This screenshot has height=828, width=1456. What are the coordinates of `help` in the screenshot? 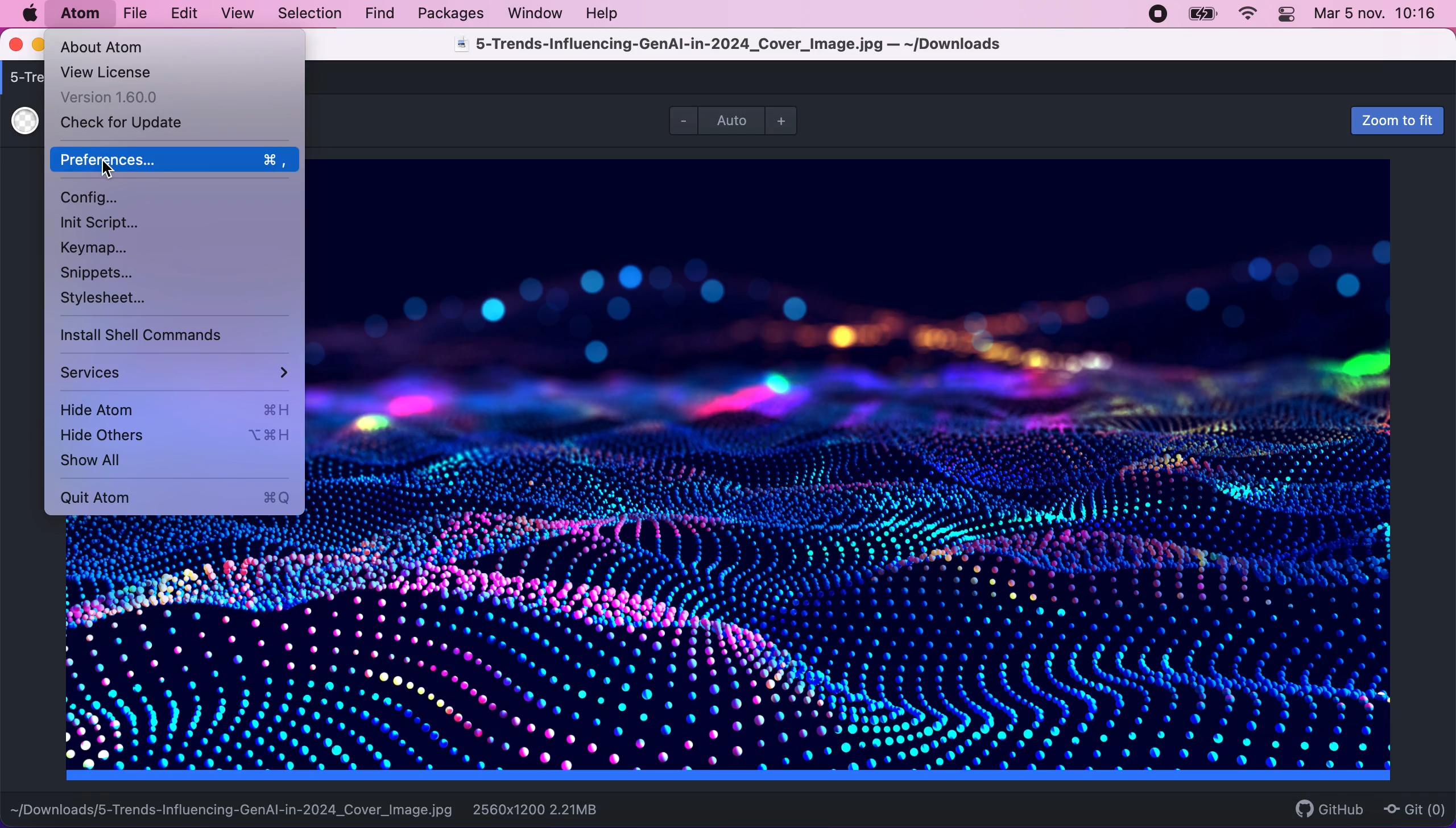 It's located at (605, 13).